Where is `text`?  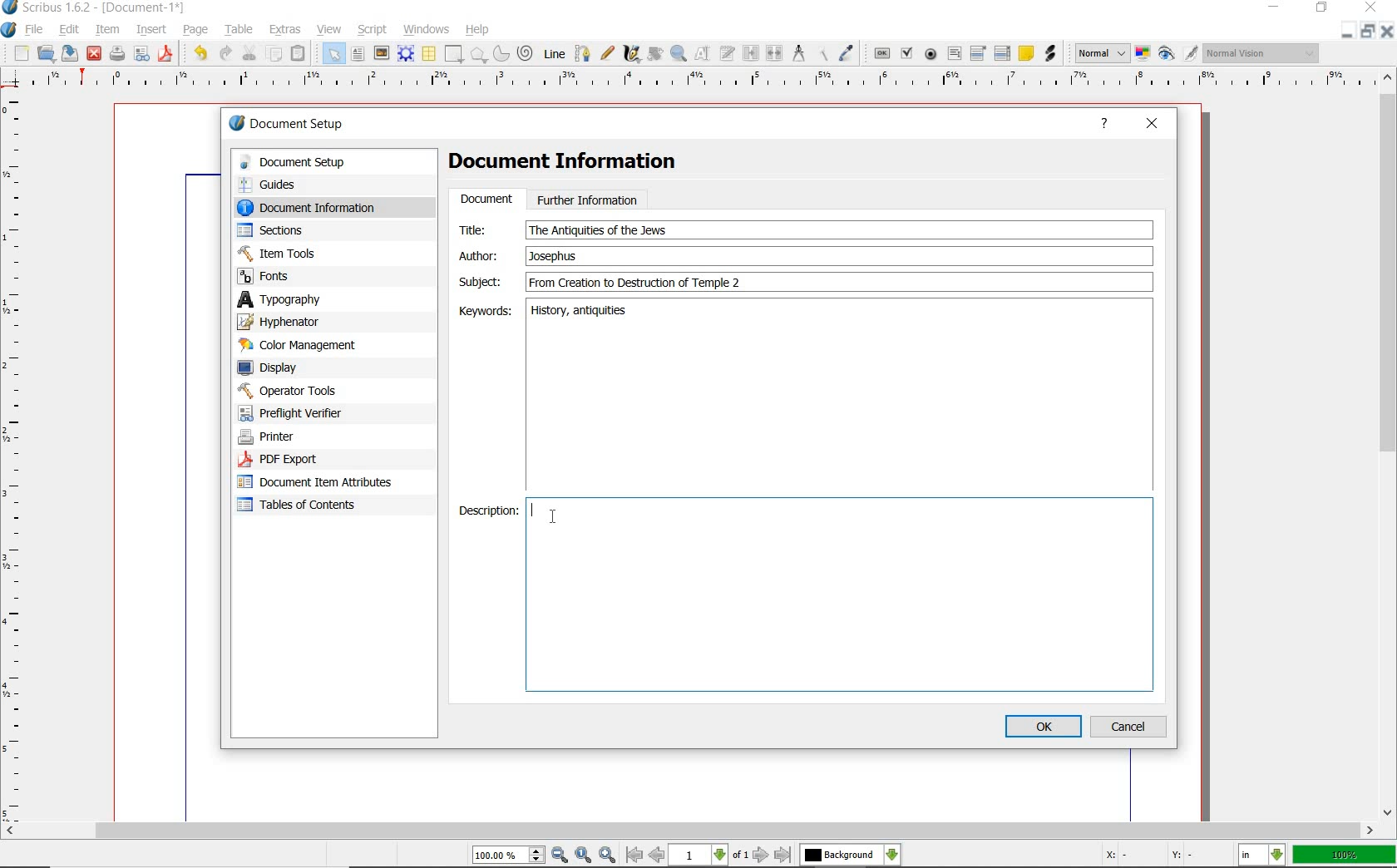 text is located at coordinates (598, 230).